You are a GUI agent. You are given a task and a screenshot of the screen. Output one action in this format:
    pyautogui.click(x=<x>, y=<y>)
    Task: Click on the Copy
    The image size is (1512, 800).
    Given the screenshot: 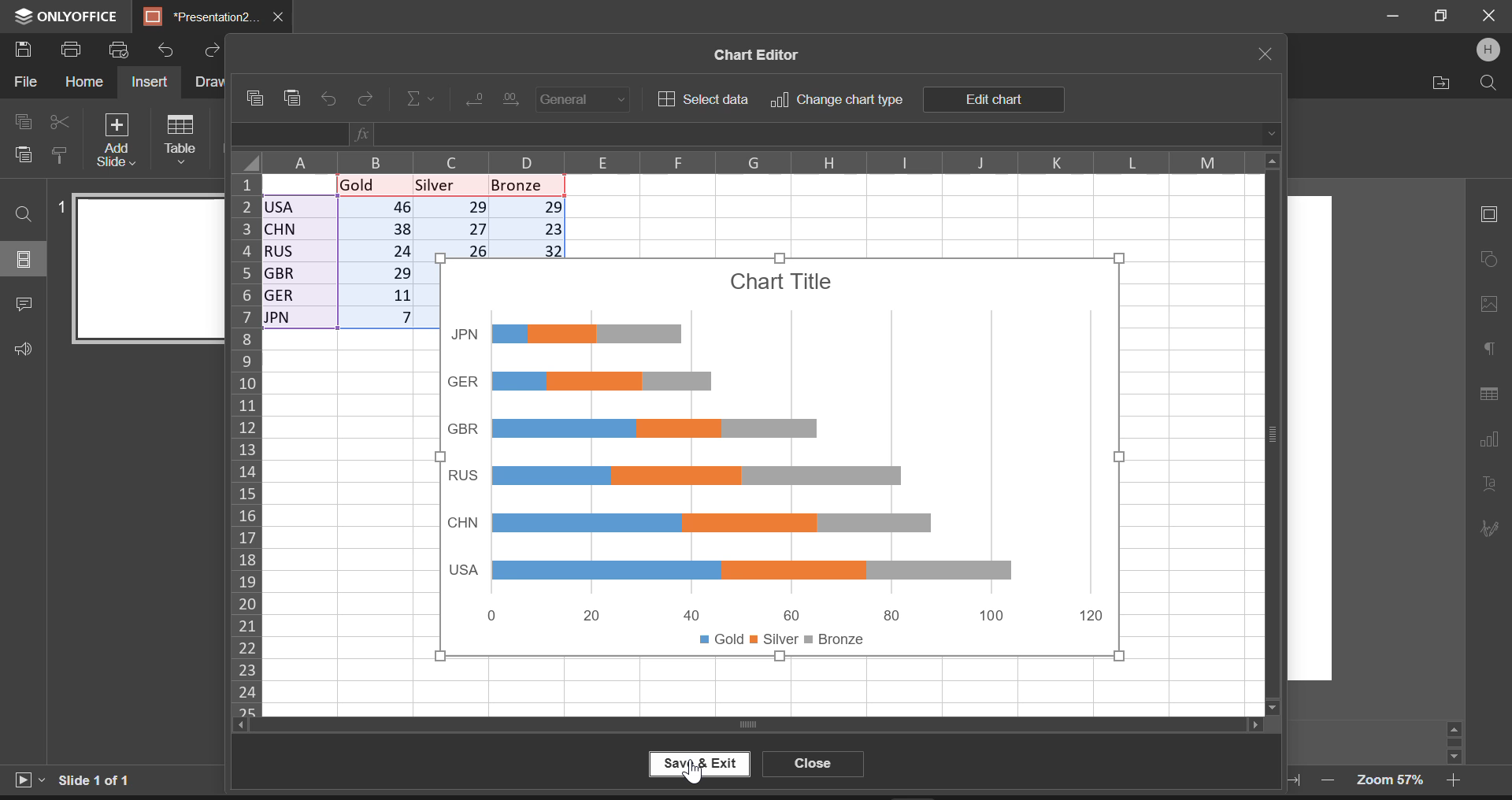 What is the action you would take?
    pyautogui.click(x=24, y=120)
    